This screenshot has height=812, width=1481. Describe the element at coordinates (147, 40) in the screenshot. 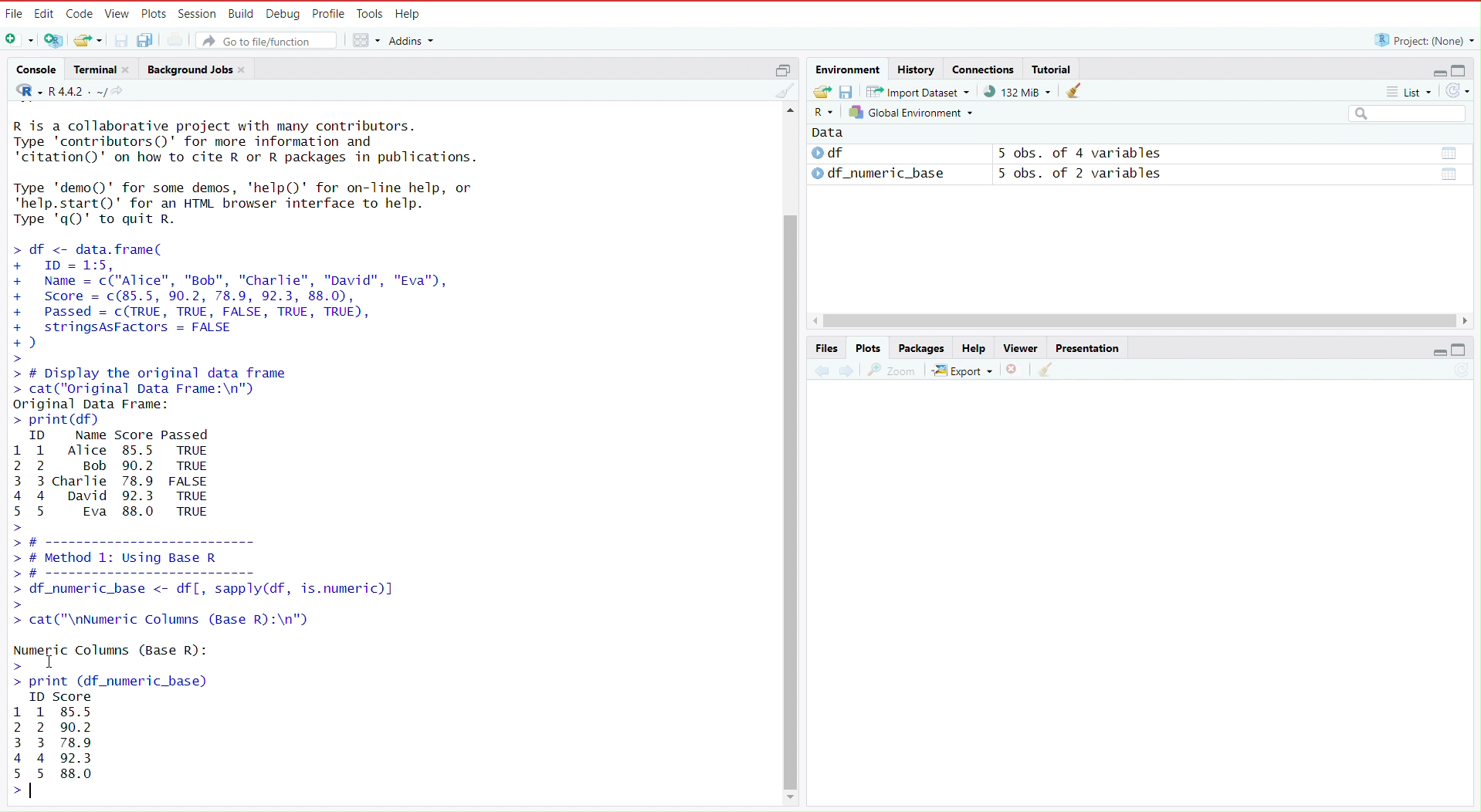

I see `save all open documents` at that location.